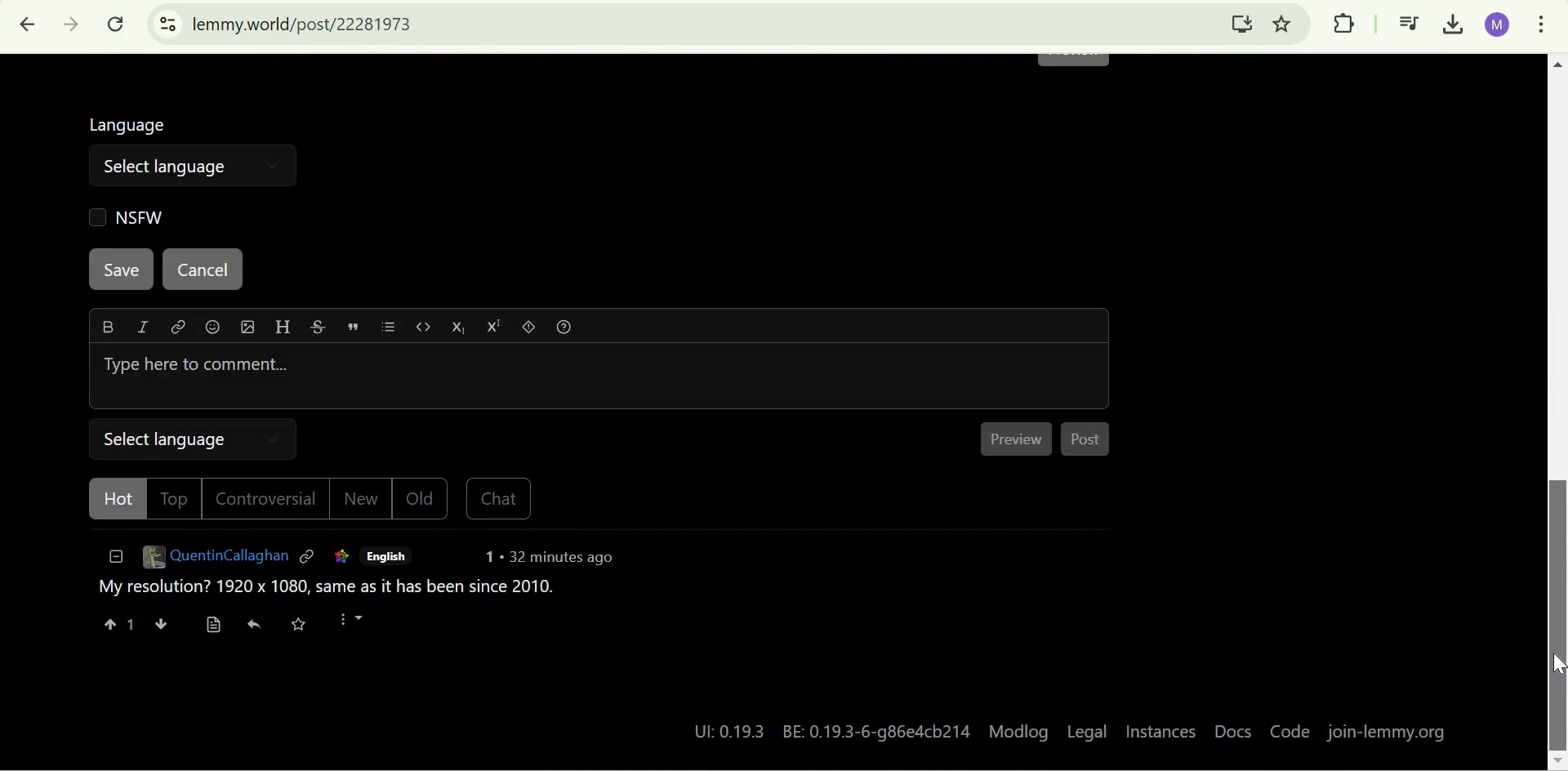  I want to click on UI: 0.19.3, so click(724, 731).